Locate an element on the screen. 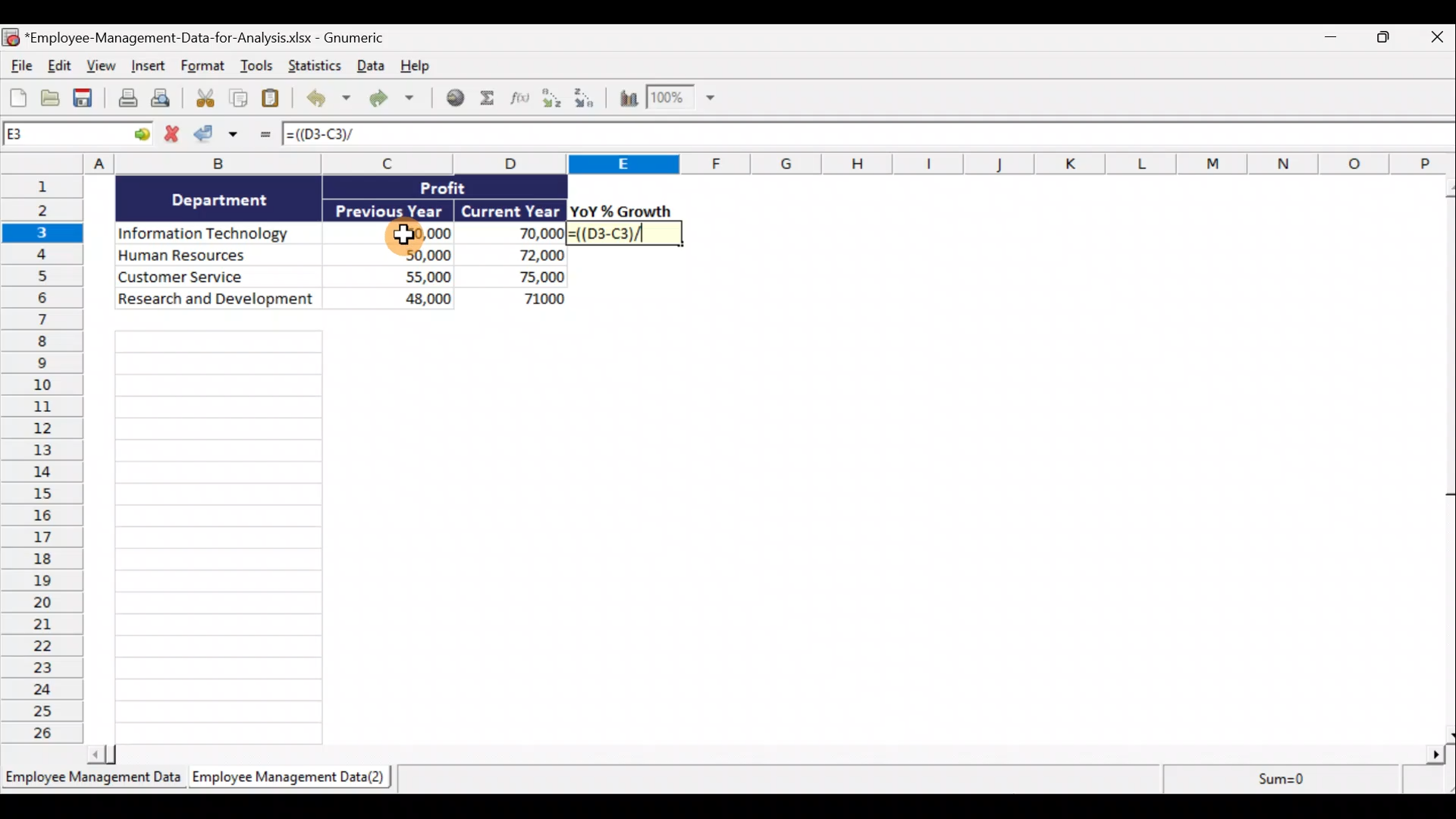 The image size is (1456, 819). Create a new workbook is located at coordinates (18, 96).